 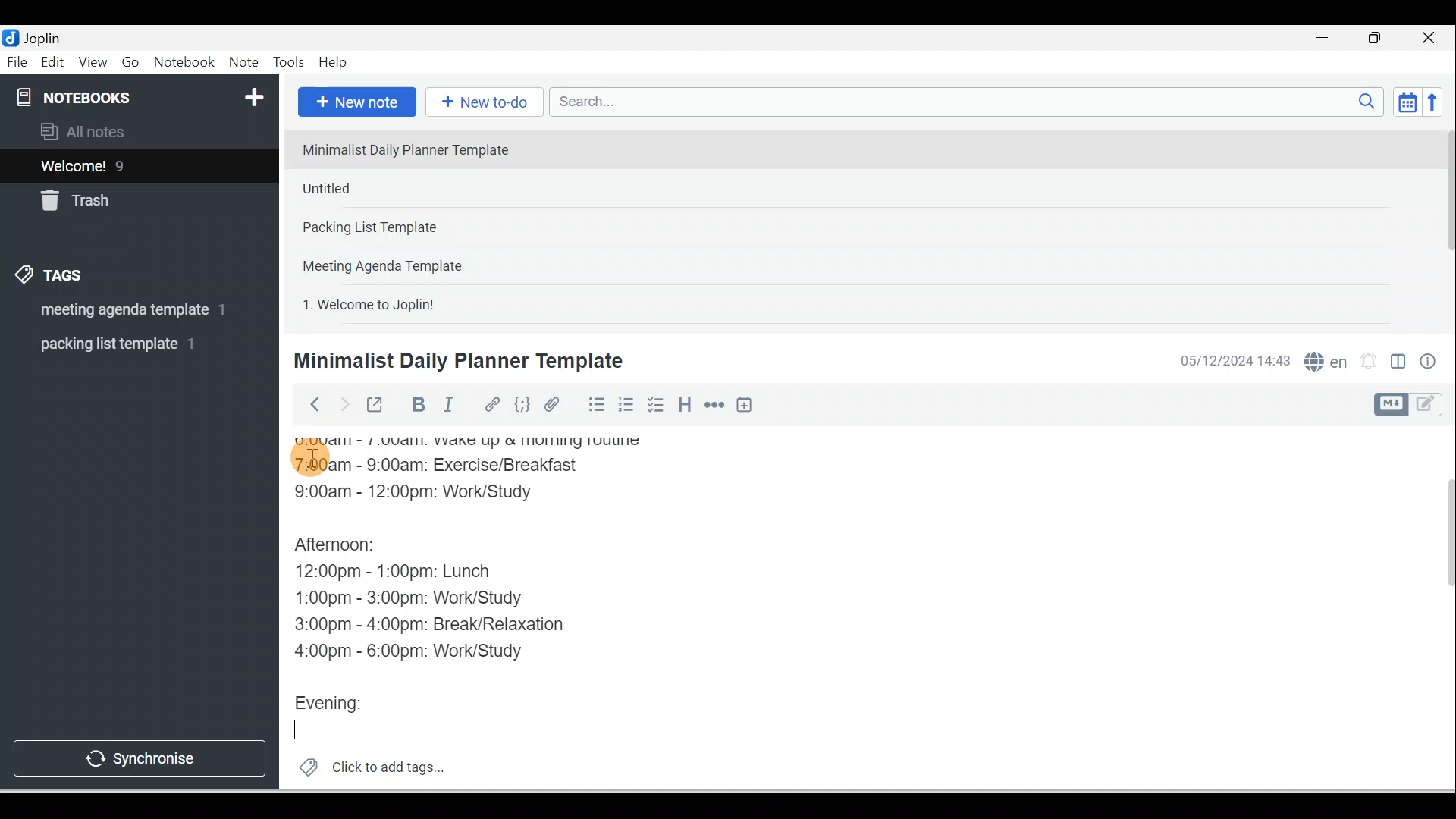 What do you see at coordinates (18, 61) in the screenshot?
I see `File` at bounding box center [18, 61].